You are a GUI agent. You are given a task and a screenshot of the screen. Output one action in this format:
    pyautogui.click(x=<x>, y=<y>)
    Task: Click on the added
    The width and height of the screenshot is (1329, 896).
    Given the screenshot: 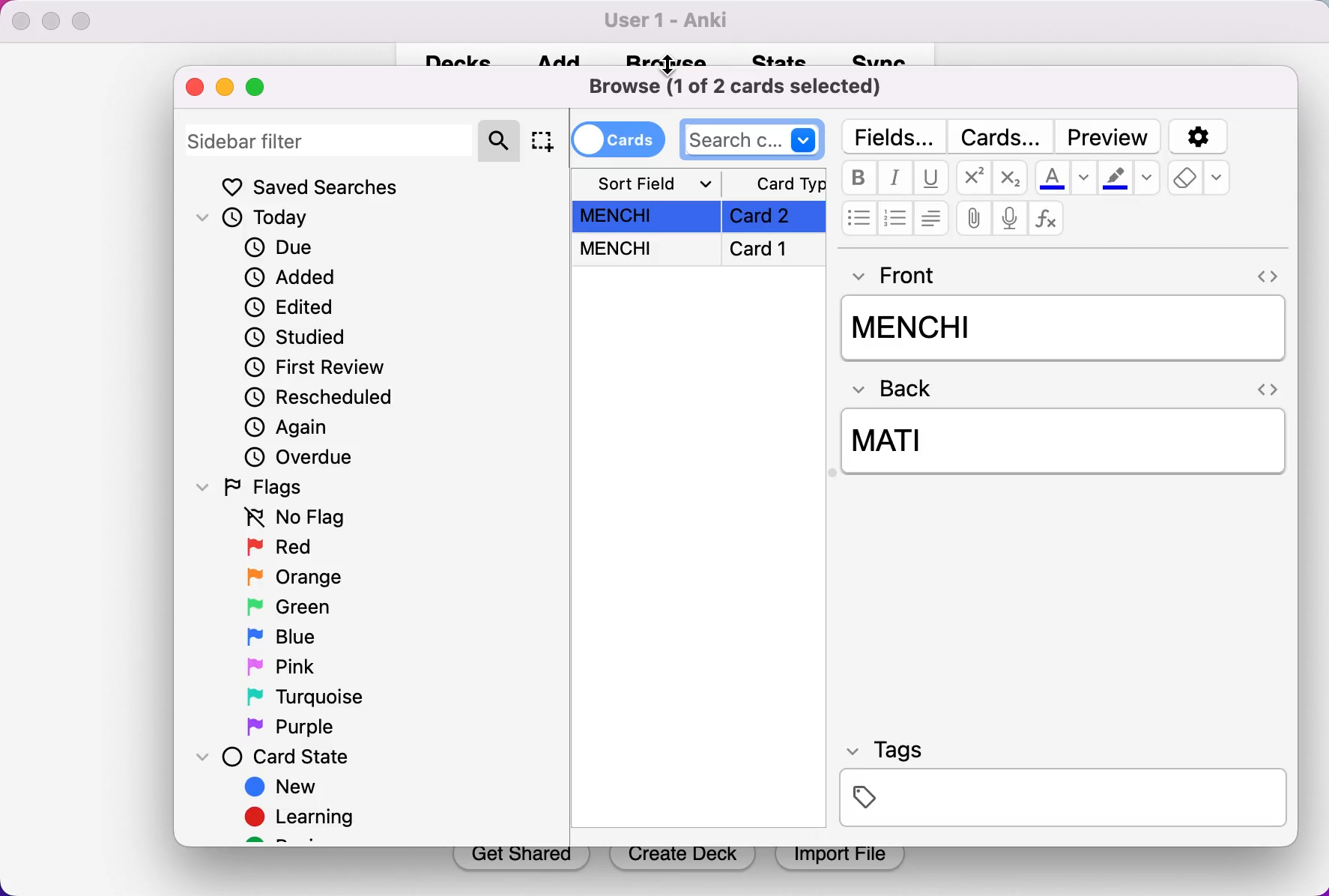 What is the action you would take?
    pyautogui.click(x=289, y=279)
    